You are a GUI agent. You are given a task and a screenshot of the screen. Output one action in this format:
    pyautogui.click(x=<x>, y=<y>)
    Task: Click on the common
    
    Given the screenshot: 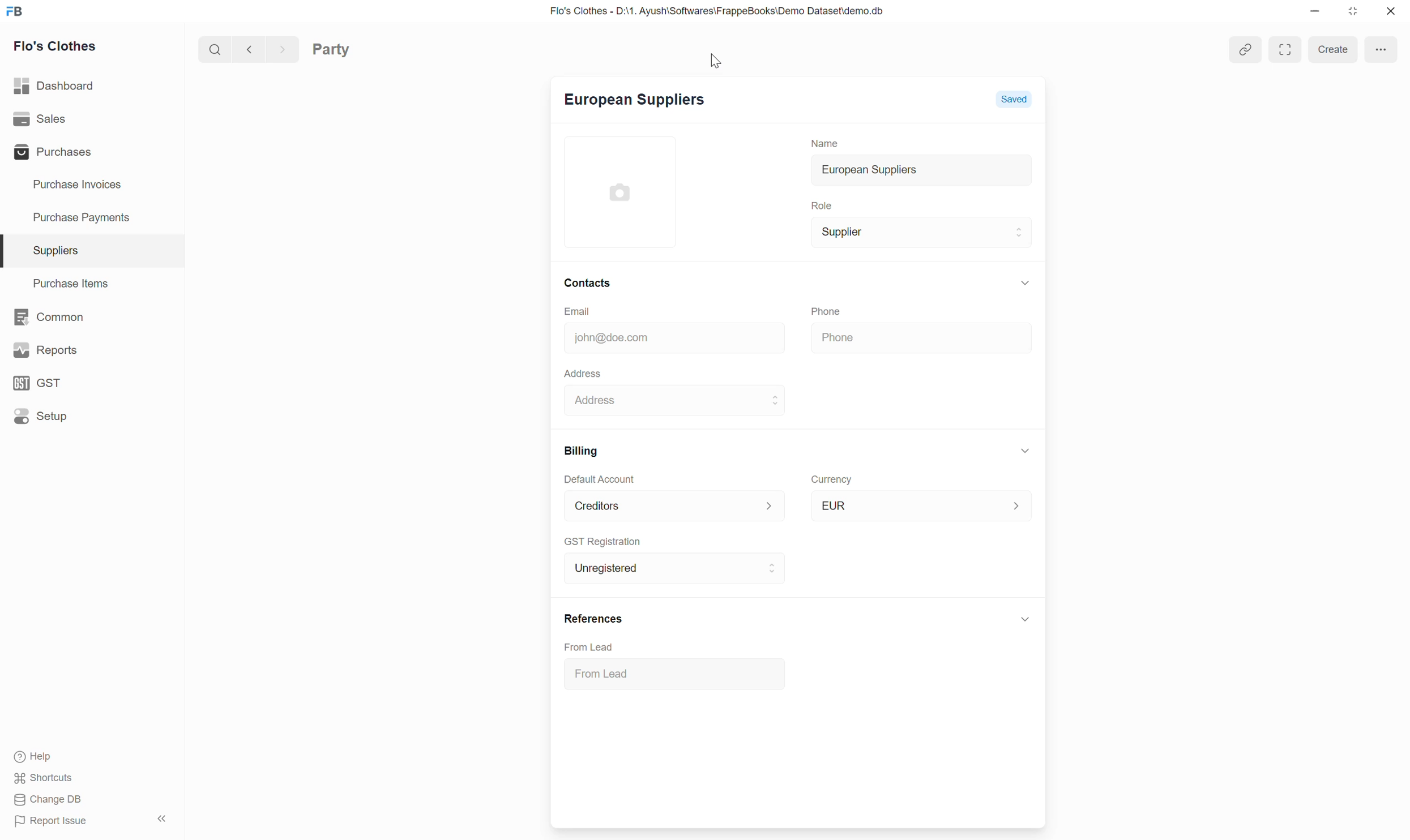 What is the action you would take?
    pyautogui.click(x=48, y=318)
    